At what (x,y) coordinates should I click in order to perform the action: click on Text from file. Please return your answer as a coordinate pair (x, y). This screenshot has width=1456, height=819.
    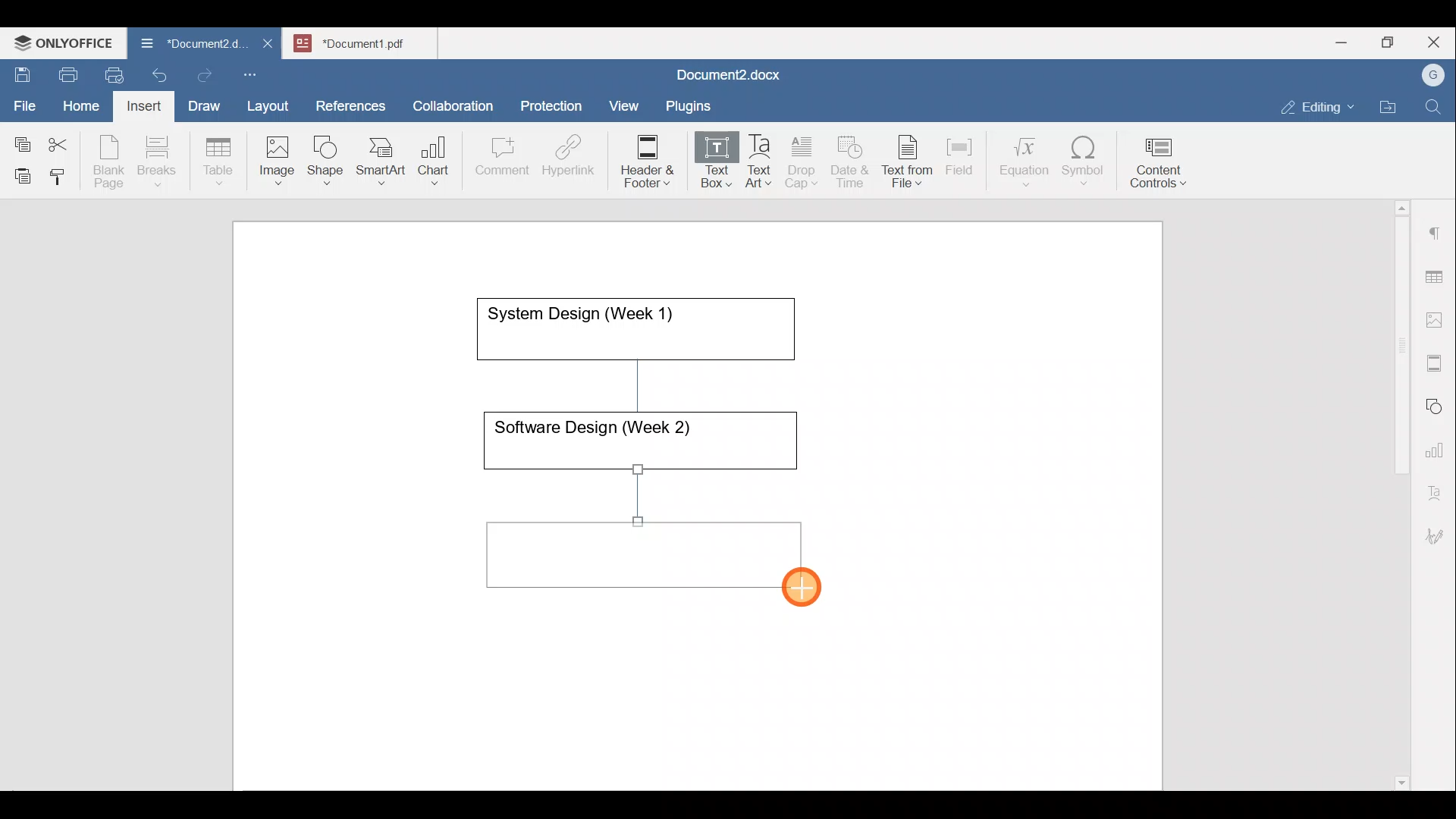
    Looking at the image, I should click on (910, 160).